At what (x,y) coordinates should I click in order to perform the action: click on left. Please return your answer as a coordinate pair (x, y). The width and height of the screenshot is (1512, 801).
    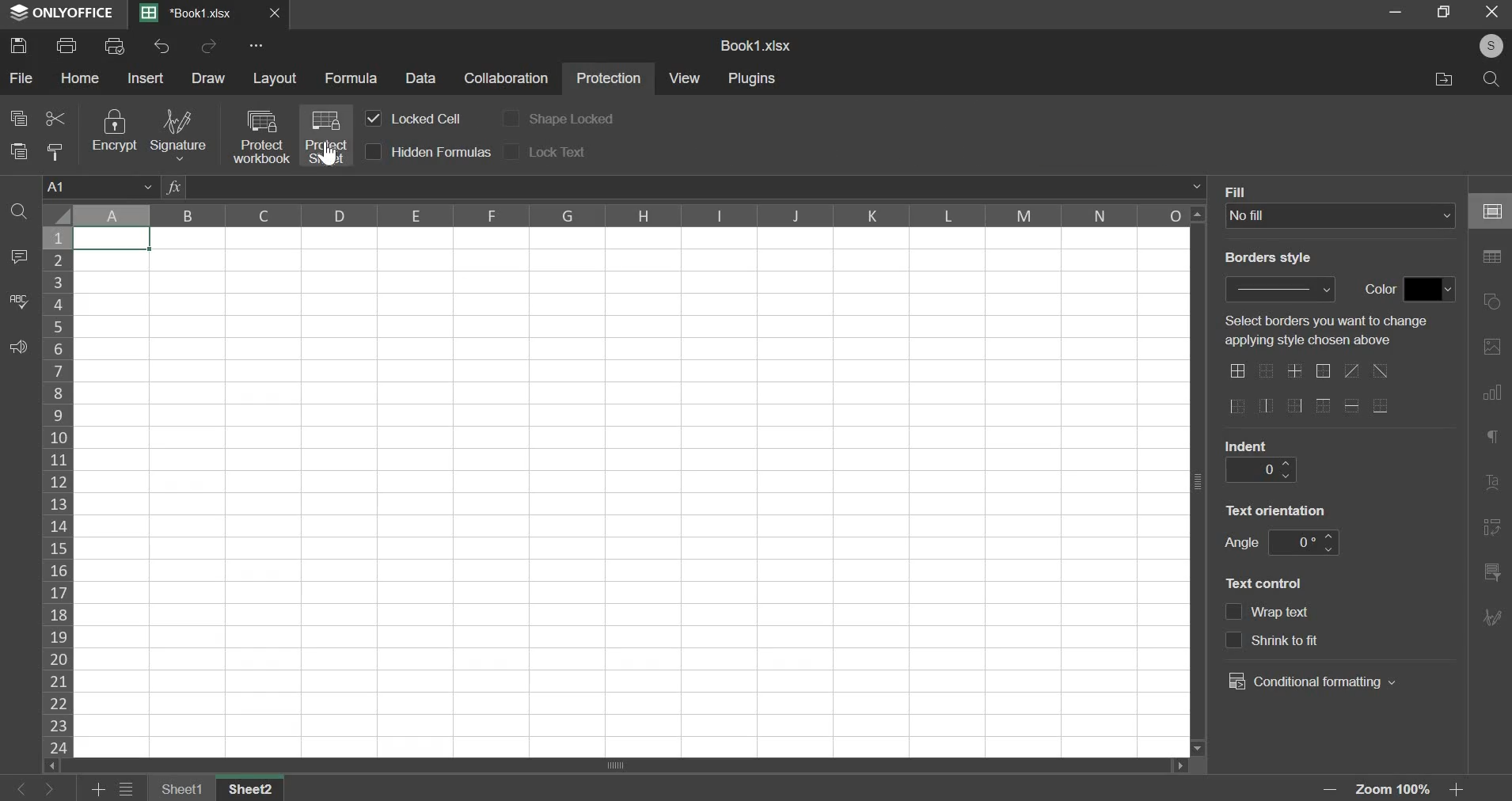
    Looking at the image, I should click on (24, 790).